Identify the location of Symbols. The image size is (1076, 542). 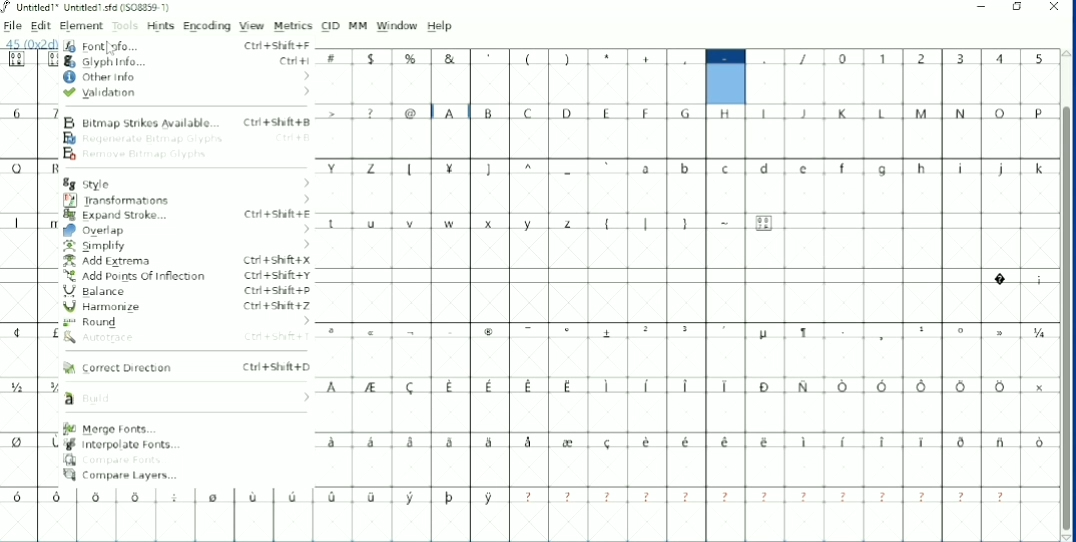
(508, 168).